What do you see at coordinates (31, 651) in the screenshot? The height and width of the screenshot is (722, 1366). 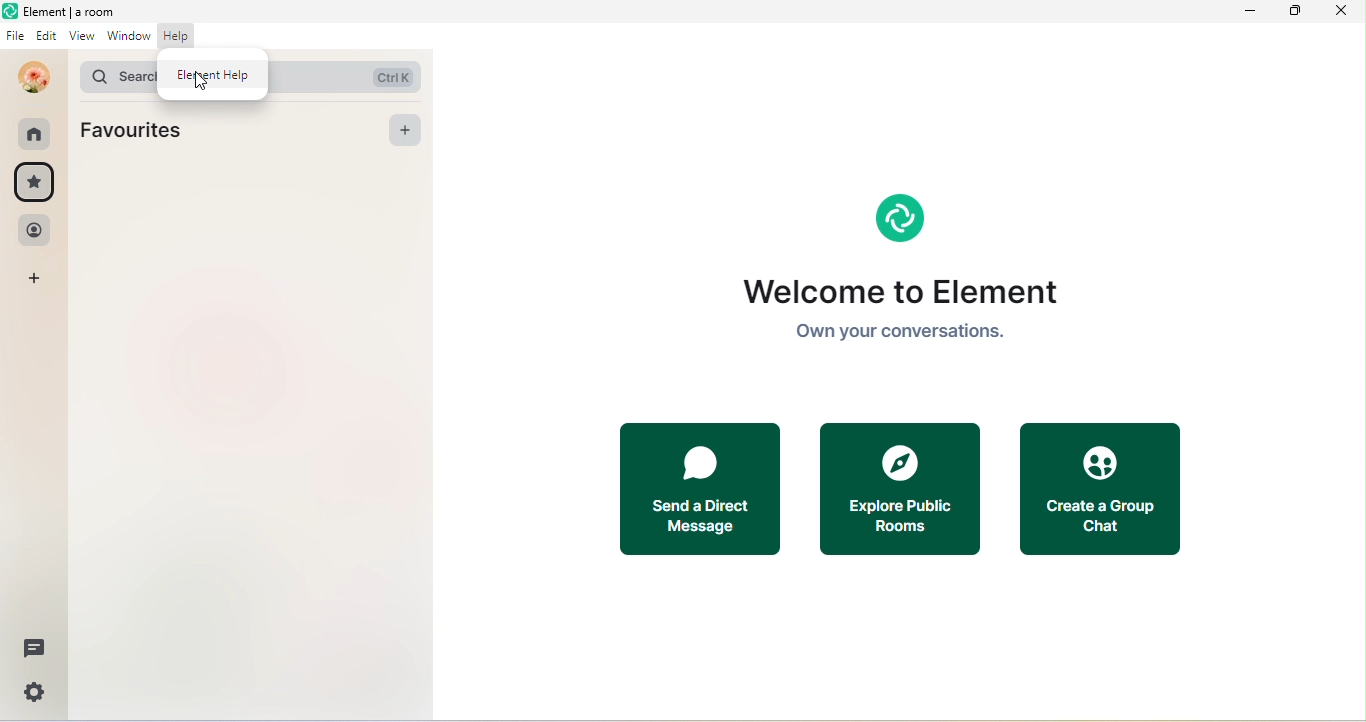 I see `thread` at bounding box center [31, 651].